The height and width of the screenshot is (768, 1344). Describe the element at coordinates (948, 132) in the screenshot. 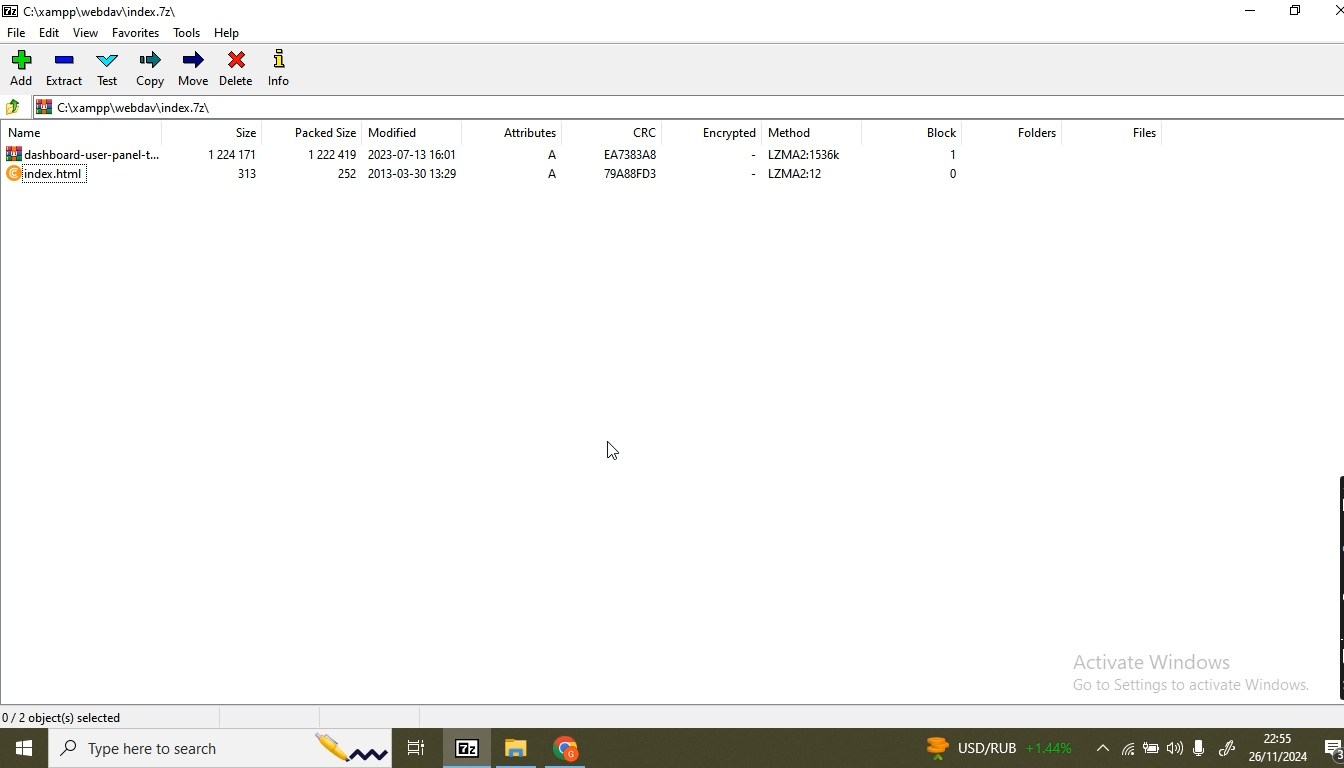

I see `block` at that location.